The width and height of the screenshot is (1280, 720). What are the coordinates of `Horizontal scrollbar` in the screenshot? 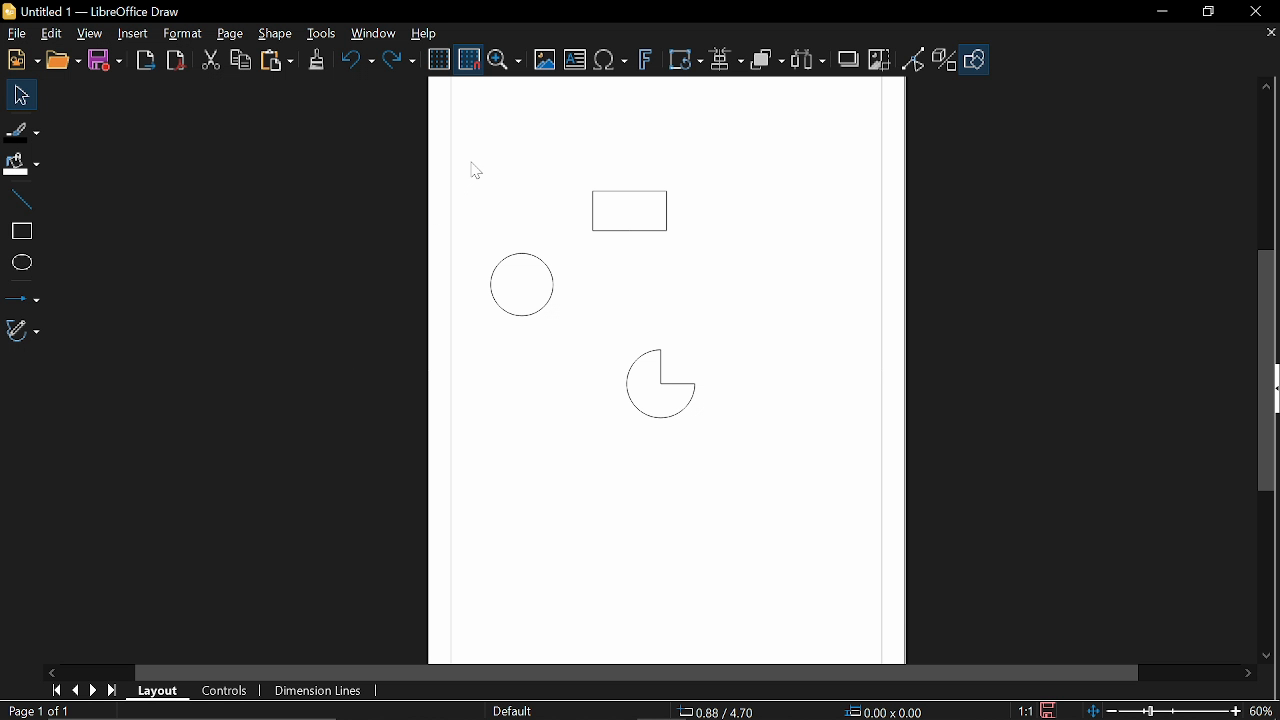 It's located at (638, 672).